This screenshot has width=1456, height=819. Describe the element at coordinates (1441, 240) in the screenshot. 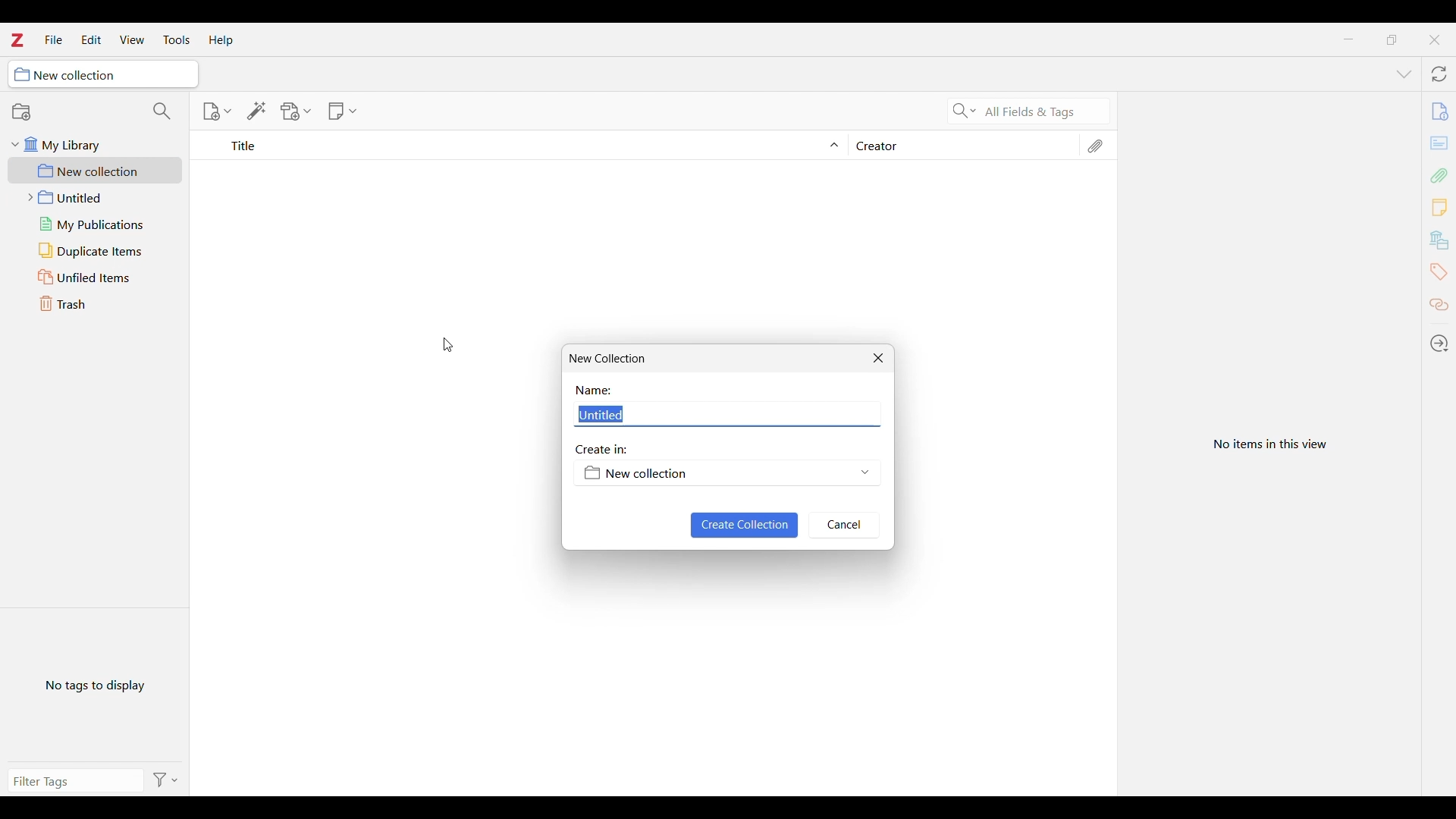

I see `banks` at that location.